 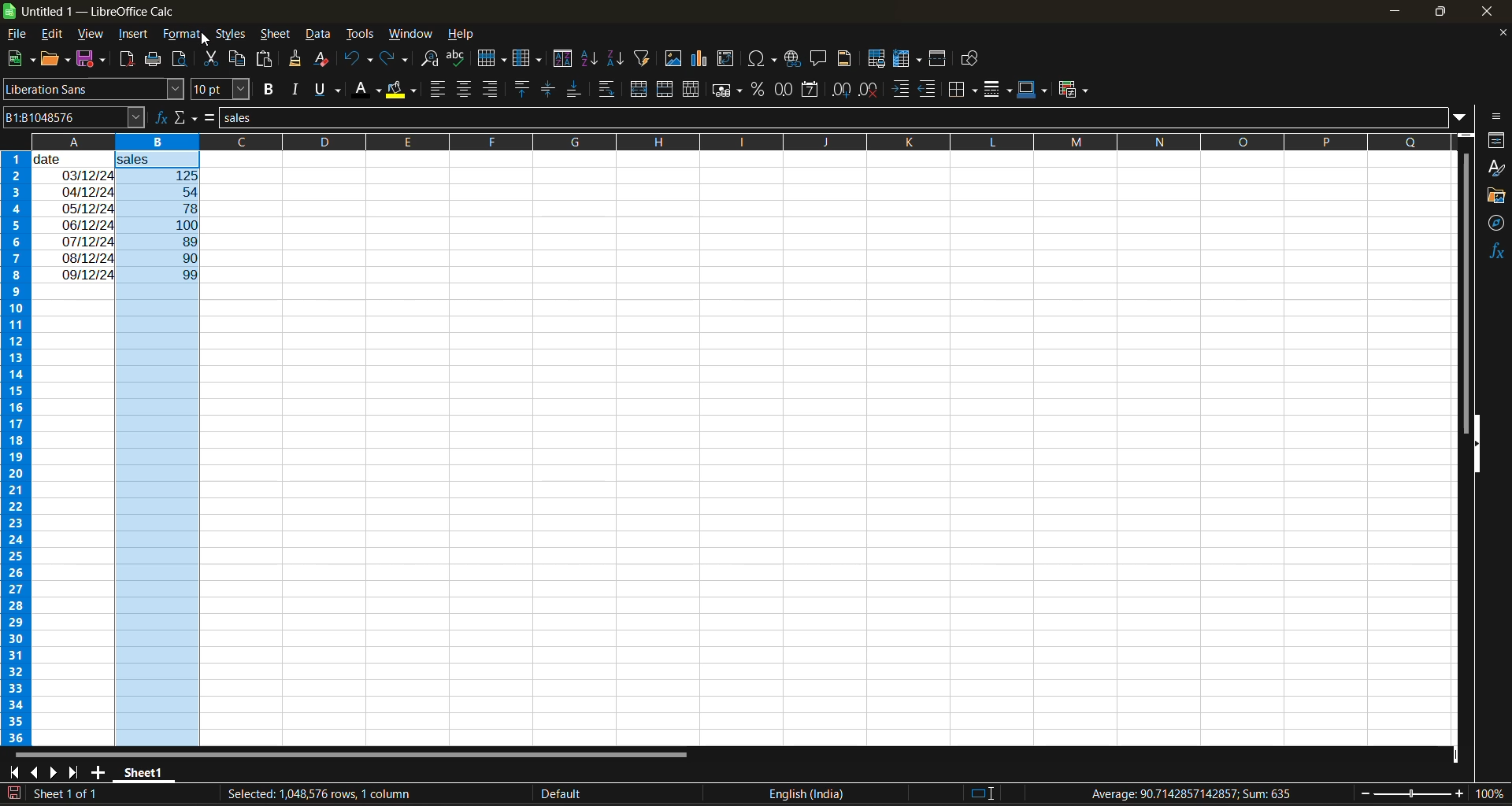 What do you see at coordinates (901, 89) in the screenshot?
I see `increase indent` at bounding box center [901, 89].